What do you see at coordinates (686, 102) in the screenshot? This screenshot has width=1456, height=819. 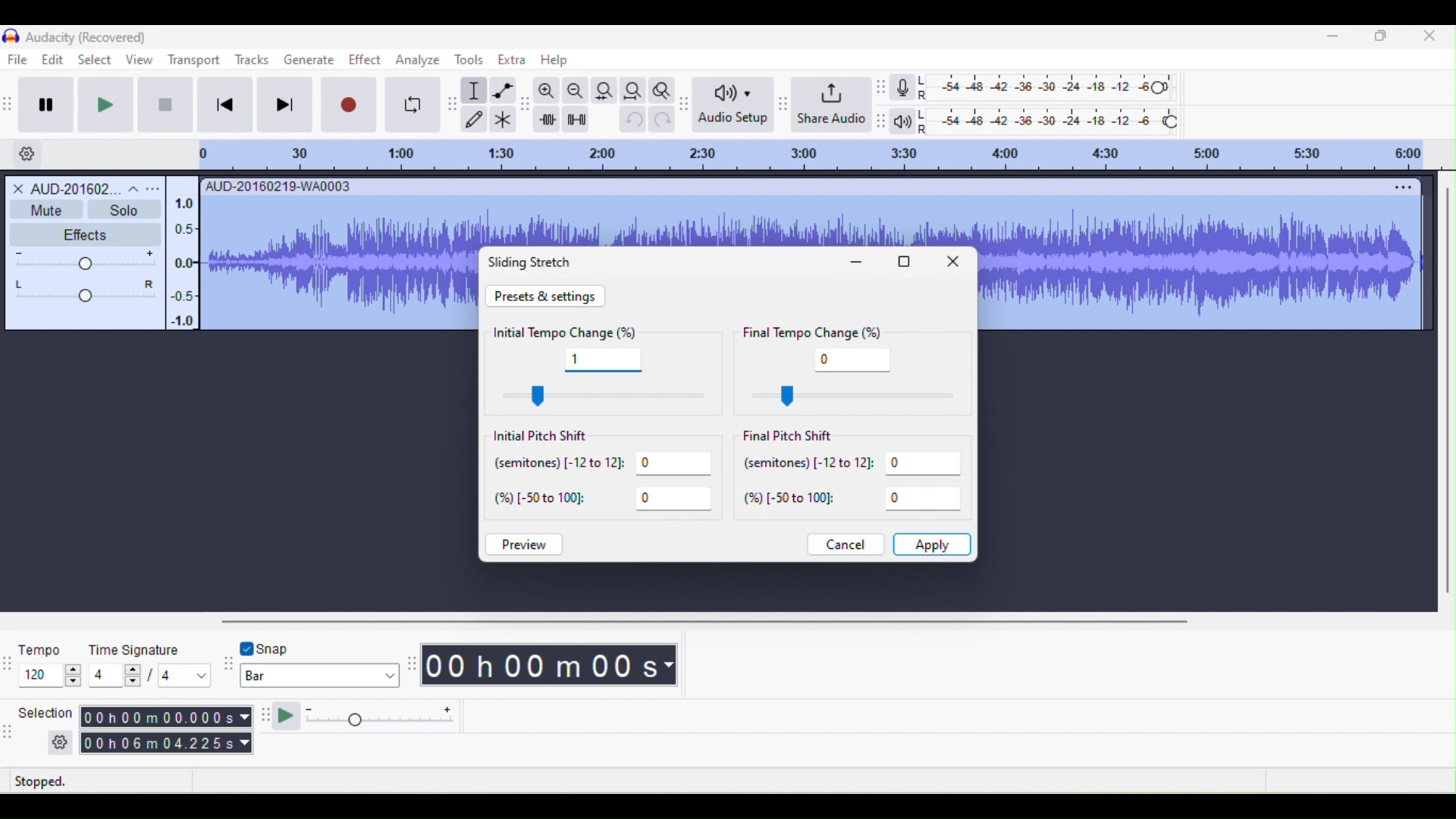 I see `audacity audio setup` at bounding box center [686, 102].